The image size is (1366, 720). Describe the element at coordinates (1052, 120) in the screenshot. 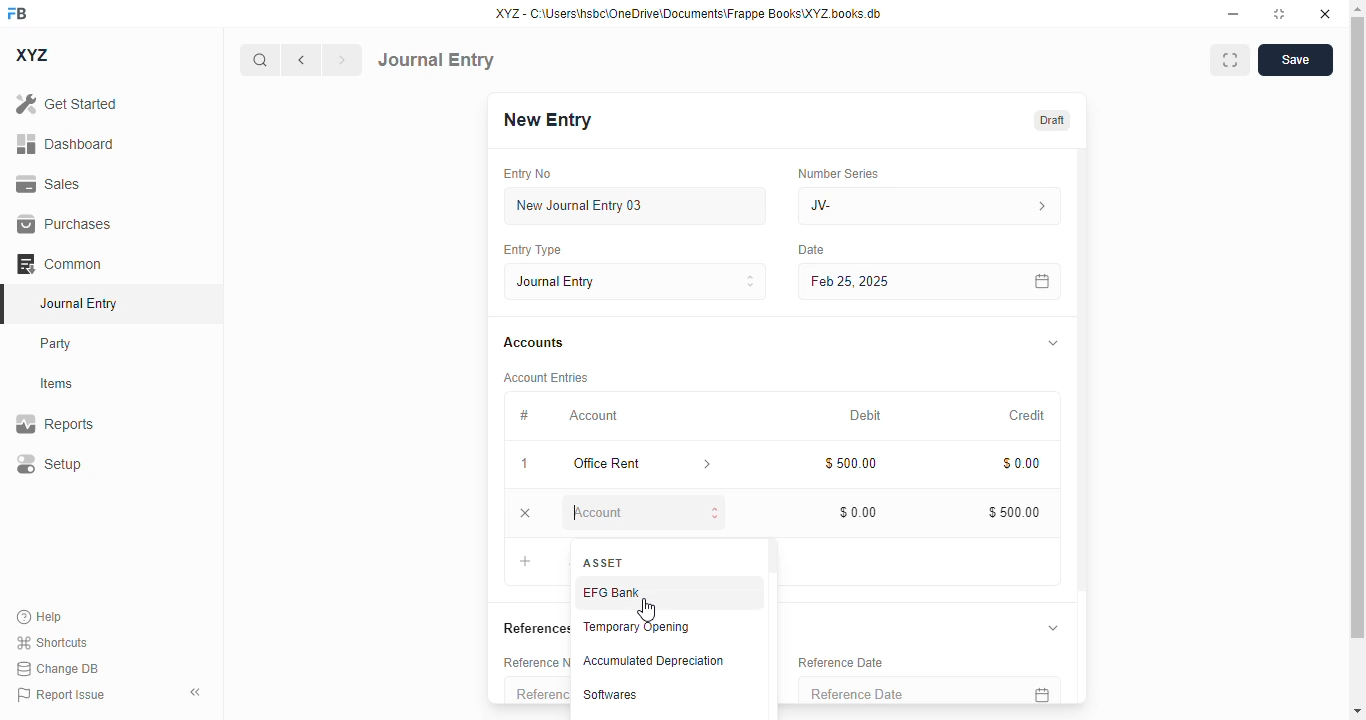

I see `draft` at that location.